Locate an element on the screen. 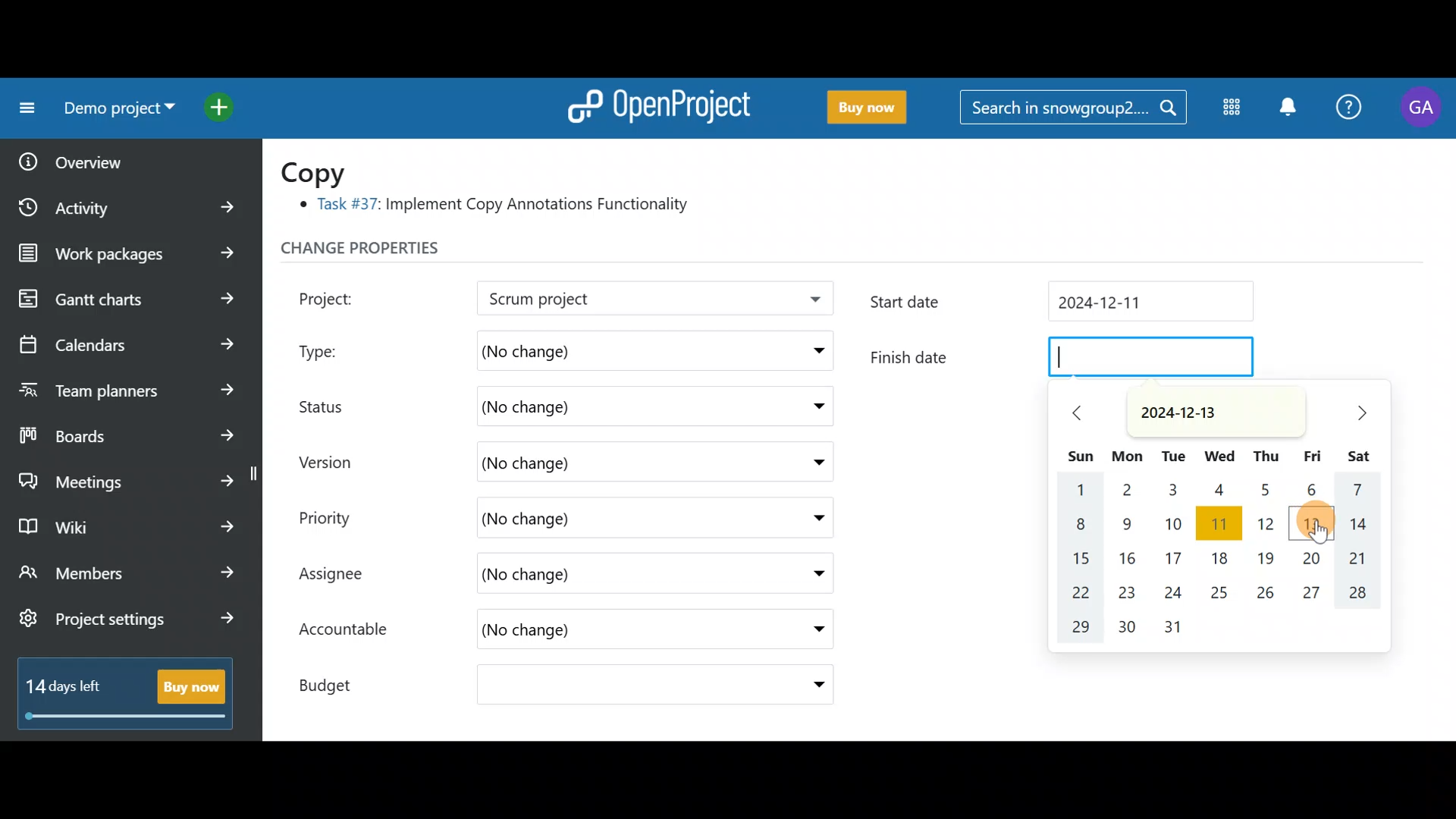 The height and width of the screenshot is (819, 1456). Calendar days is located at coordinates (1228, 562).